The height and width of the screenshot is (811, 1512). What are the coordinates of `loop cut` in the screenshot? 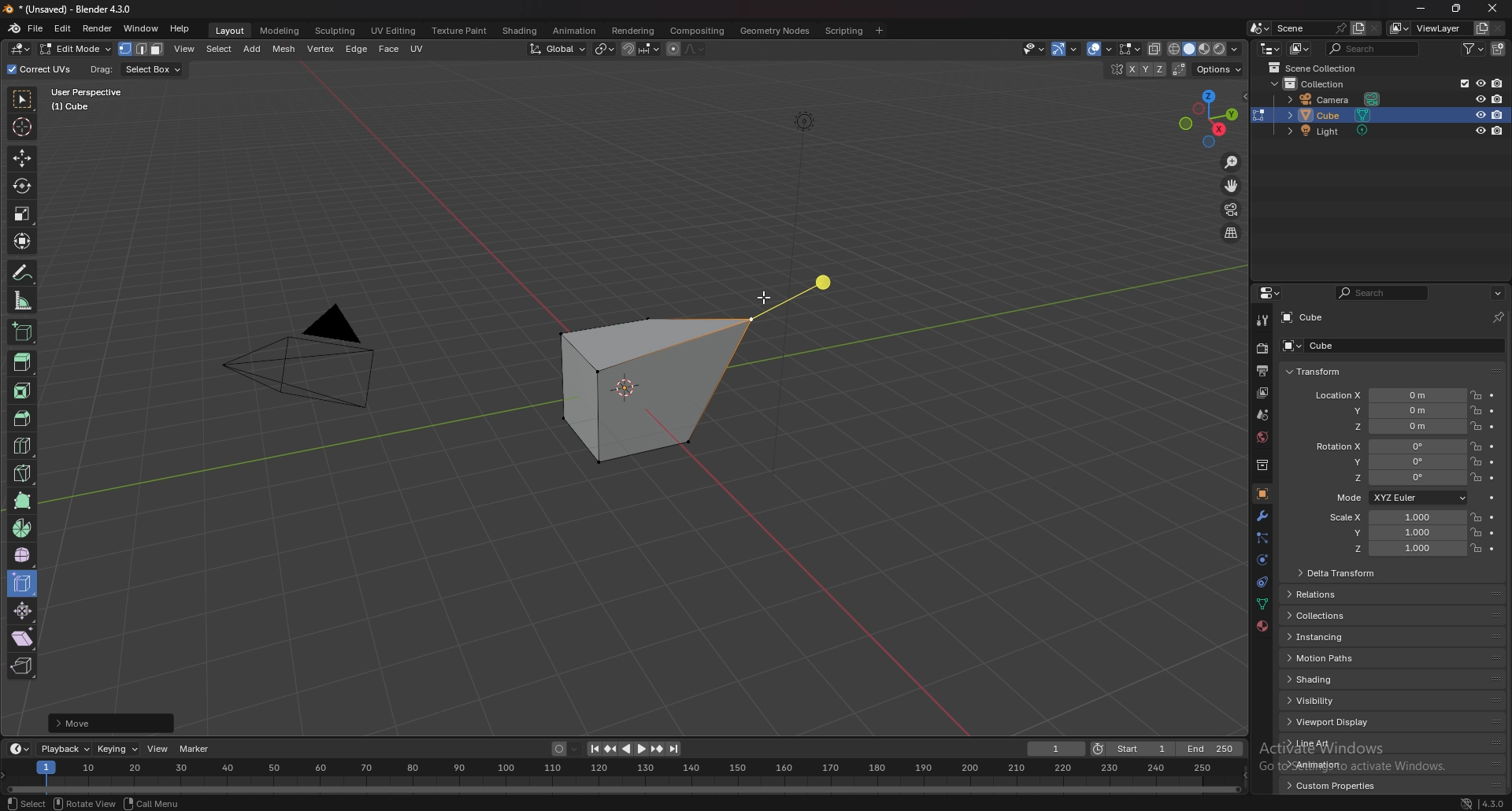 It's located at (22, 446).